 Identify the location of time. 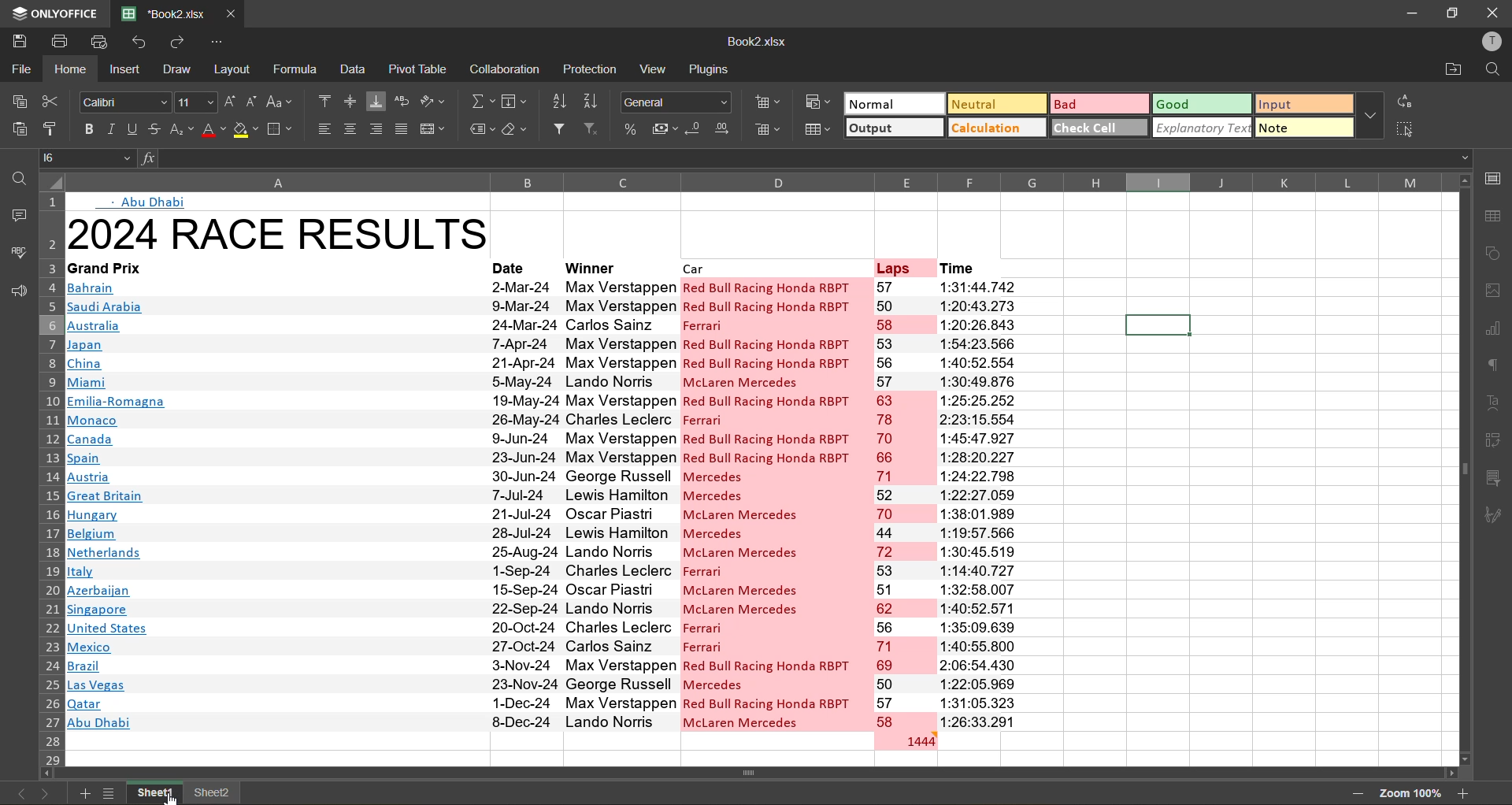
(973, 265).